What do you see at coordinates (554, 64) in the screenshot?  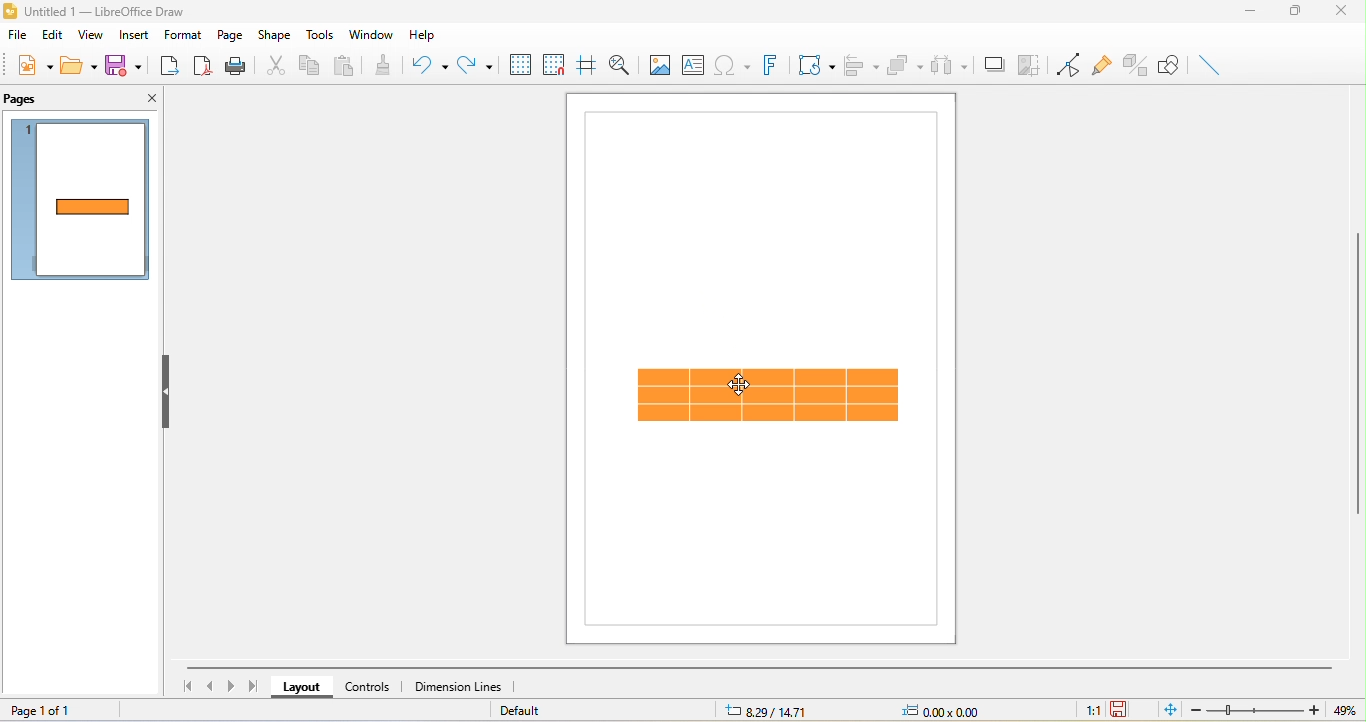 I see `snap to grids` at bounding box center [554, 64].